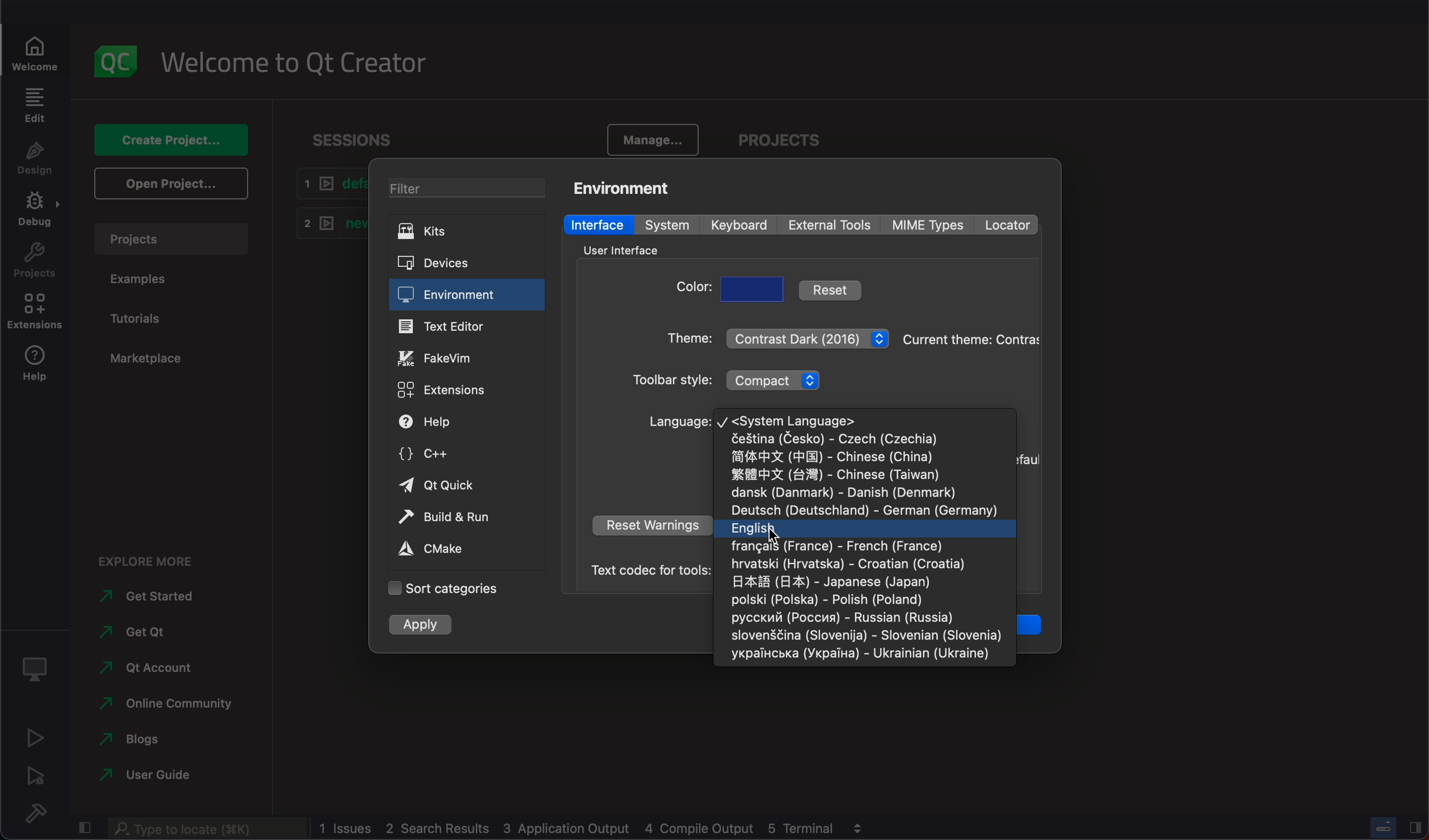 Image resolution: width=1429 pixels, height=840 pixels. What do you see at coordinates (840, 478) in the screenshot?
I see `taiwan` at bounding box center [840, 478].